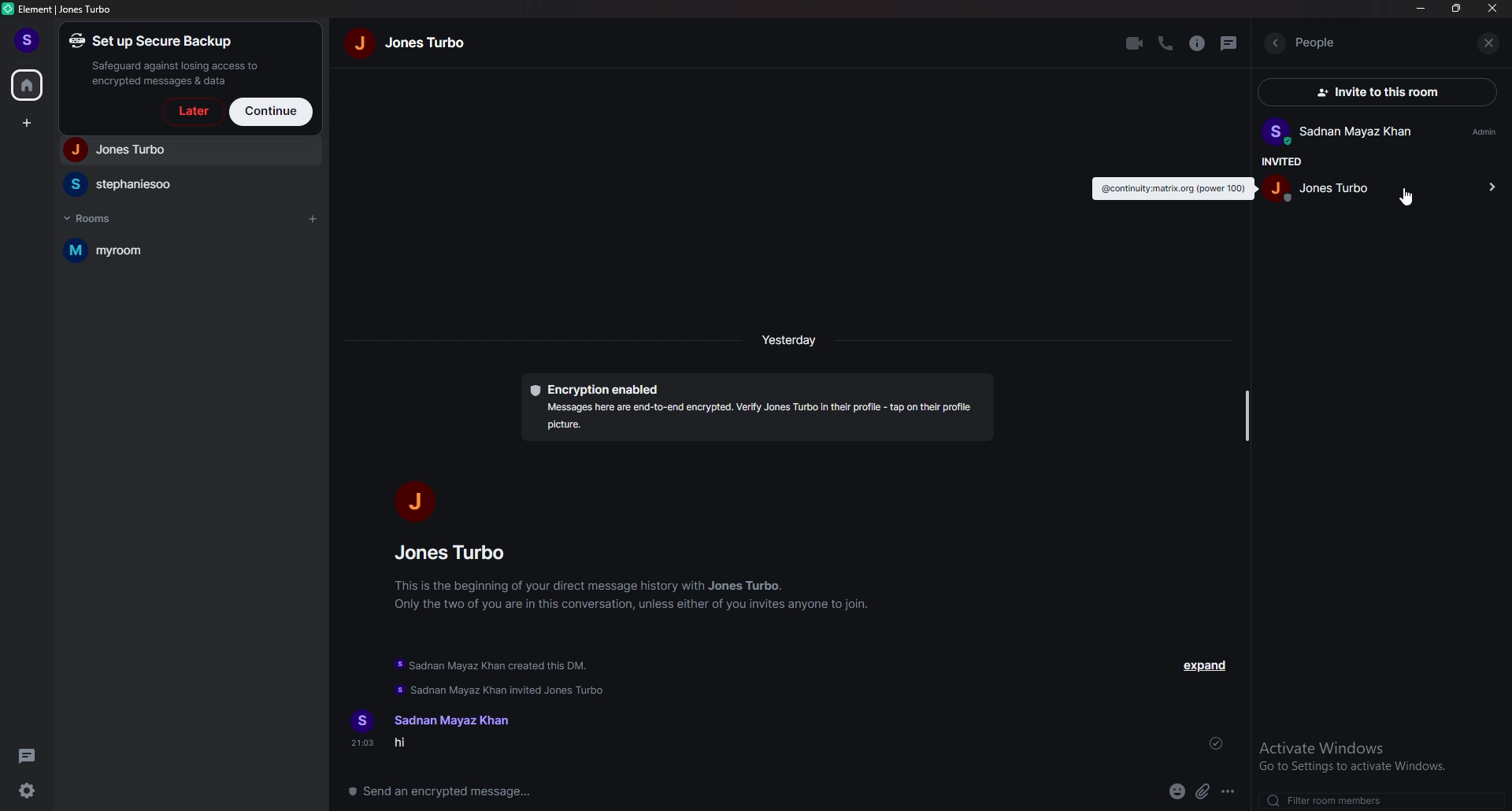 This screenshot has height=811, width=1512. I want to click on name, so click(449, 720).